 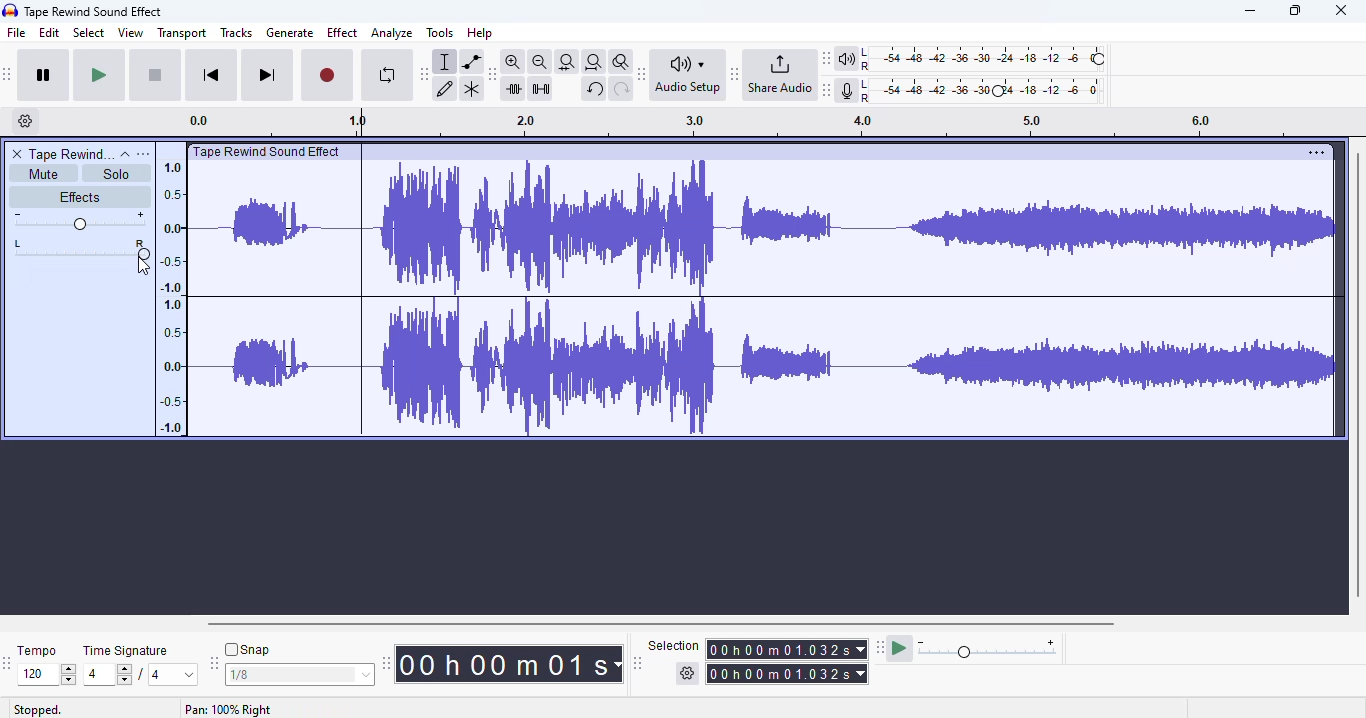 What do you see at coordinates (512, 61) in the screenshot?
I see `zoom in` at bounding box center [512, 61].